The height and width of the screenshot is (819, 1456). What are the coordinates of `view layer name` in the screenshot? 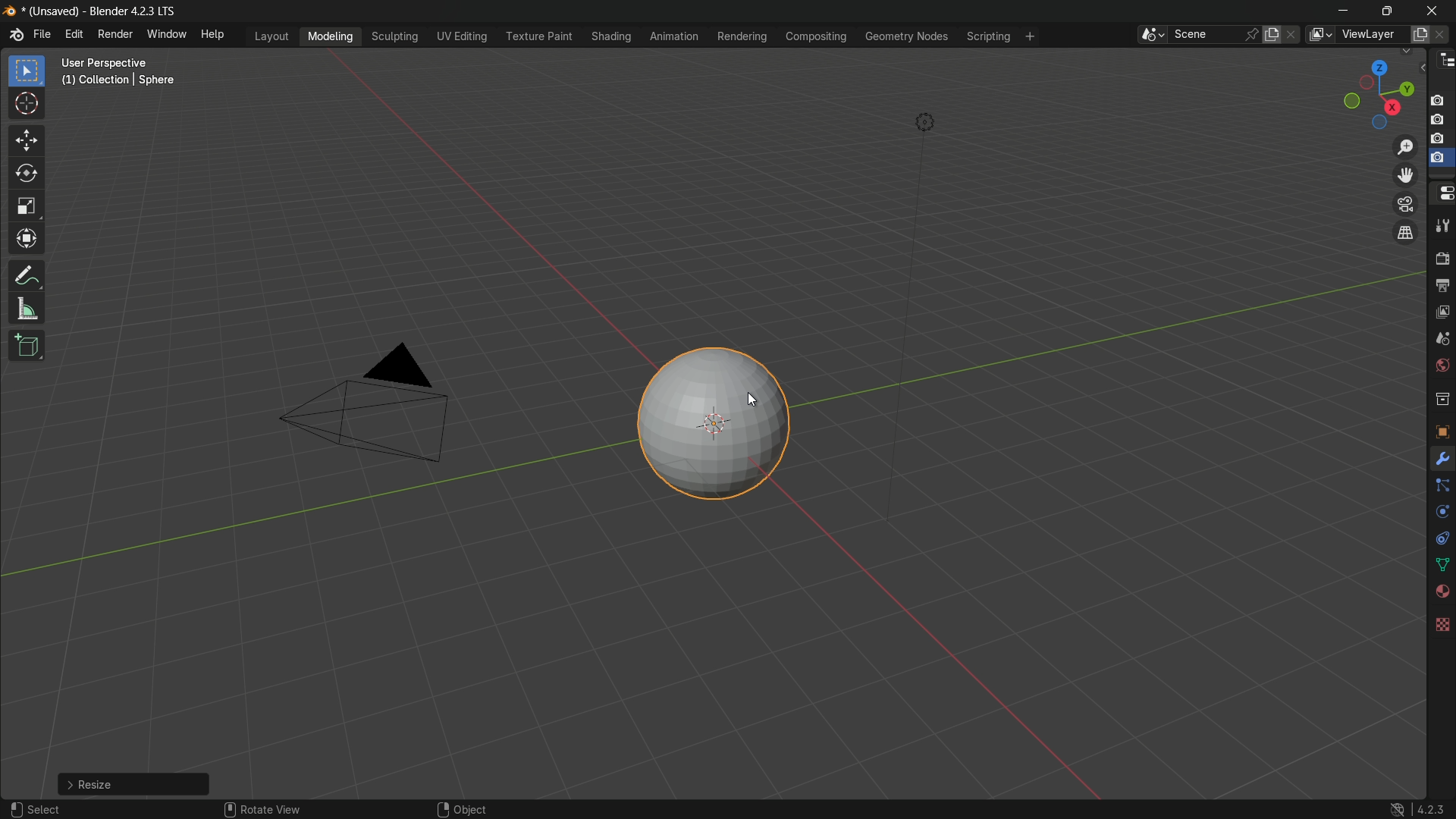 It's located at (1374, 36).